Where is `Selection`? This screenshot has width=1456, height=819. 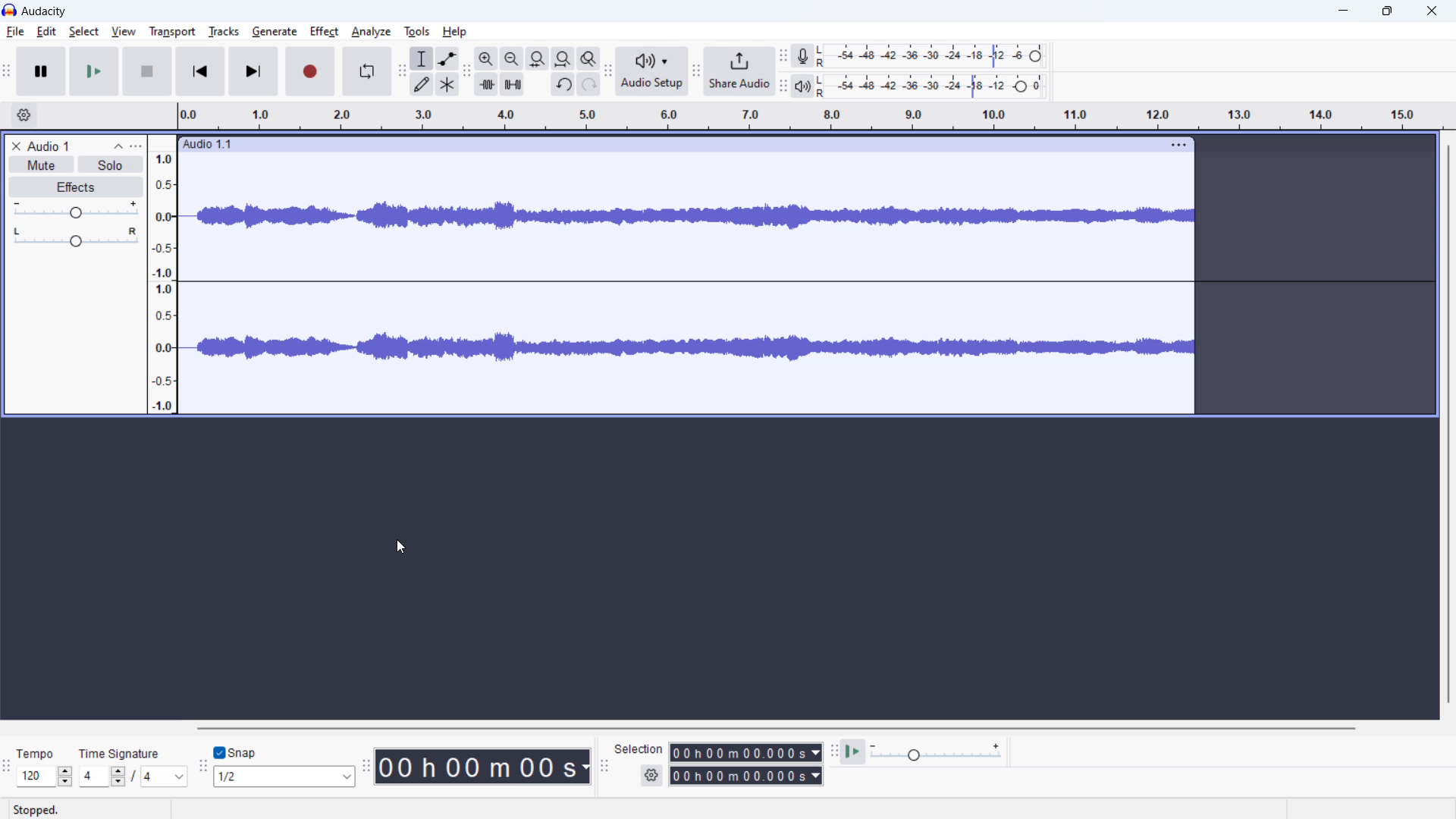
Selection is located at coordinates (644, 748).